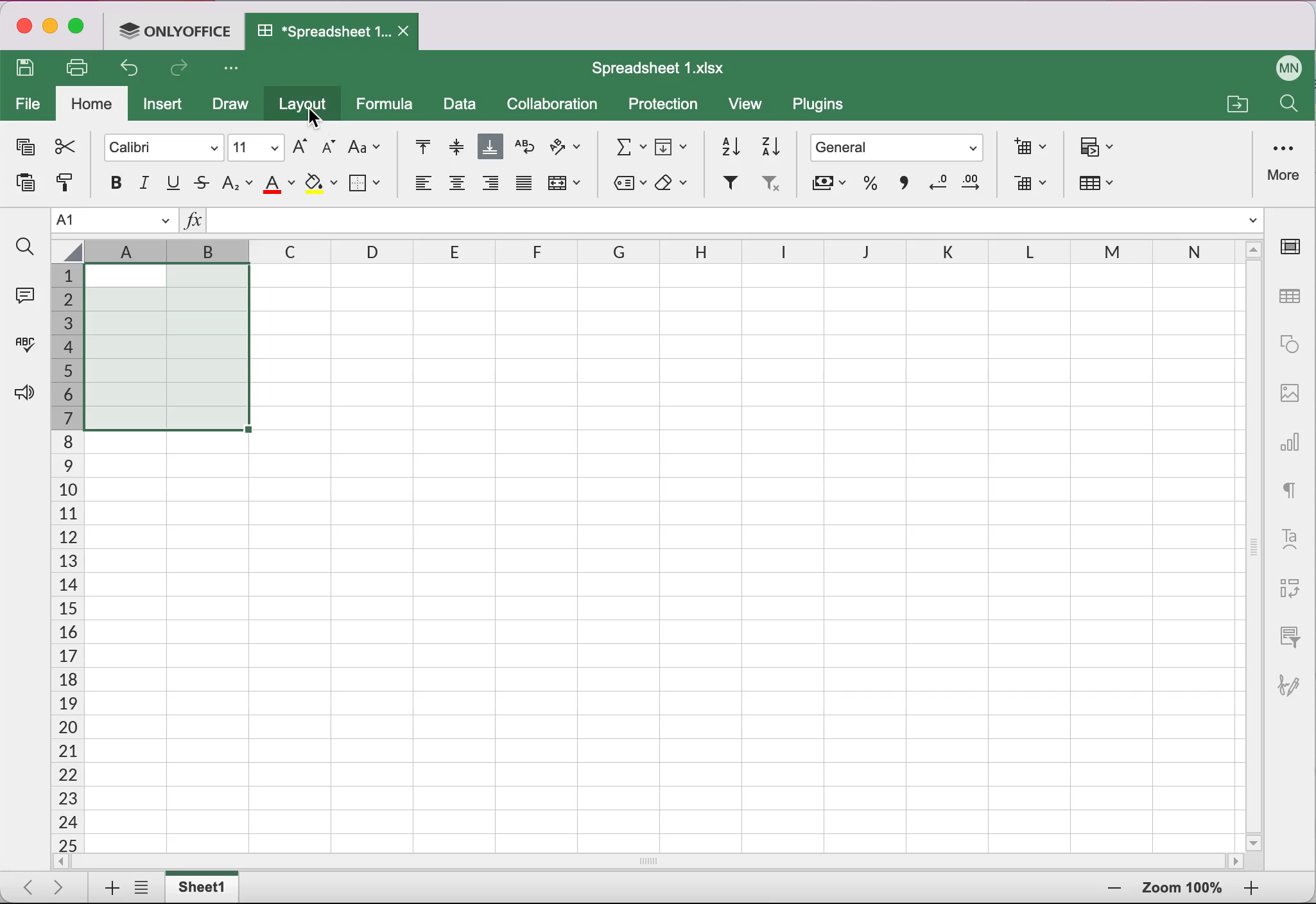 The height and width of the screenshot is (904, 1316). What do you see at coordinates (625, 145) in the screenshot?
I see `summation` at bounding box center [625, 145].